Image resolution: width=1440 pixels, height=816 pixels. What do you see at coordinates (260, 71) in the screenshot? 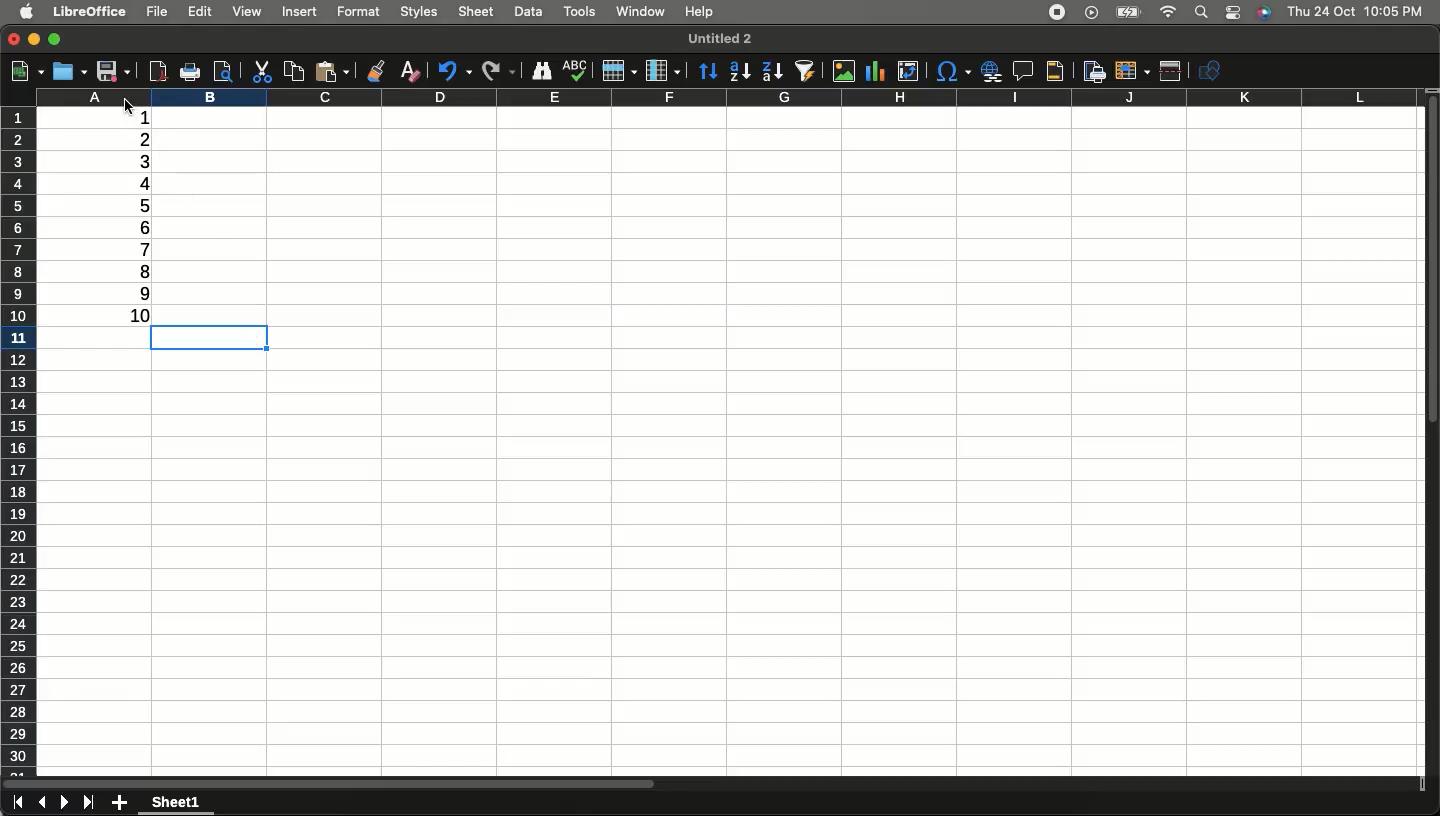
I see `Cut` at bounding box center [260, 71].